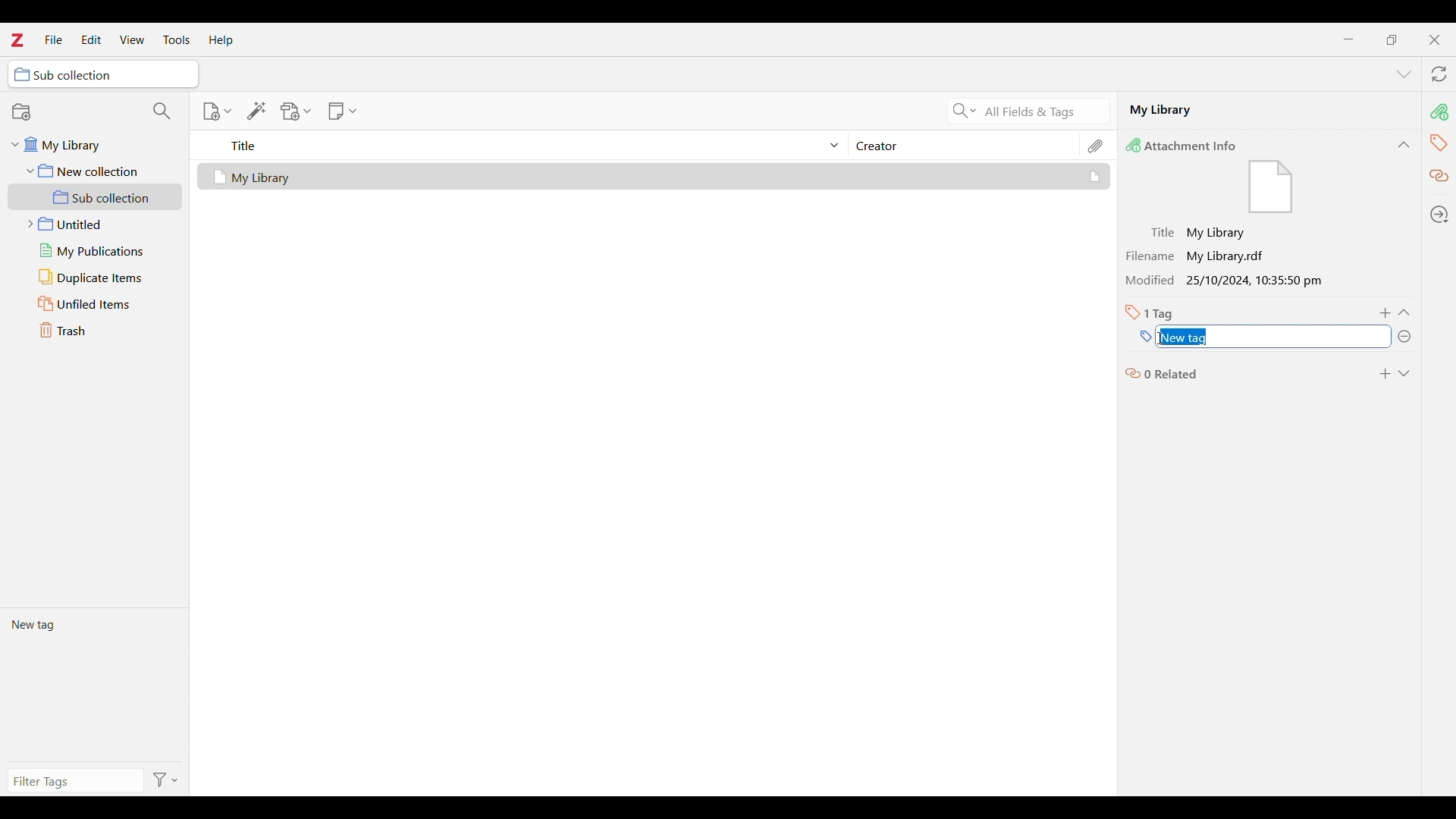  What do you see at coordinates (217, 111) in the screenshot?
I see `New item options` at bounding box center [217, 111].